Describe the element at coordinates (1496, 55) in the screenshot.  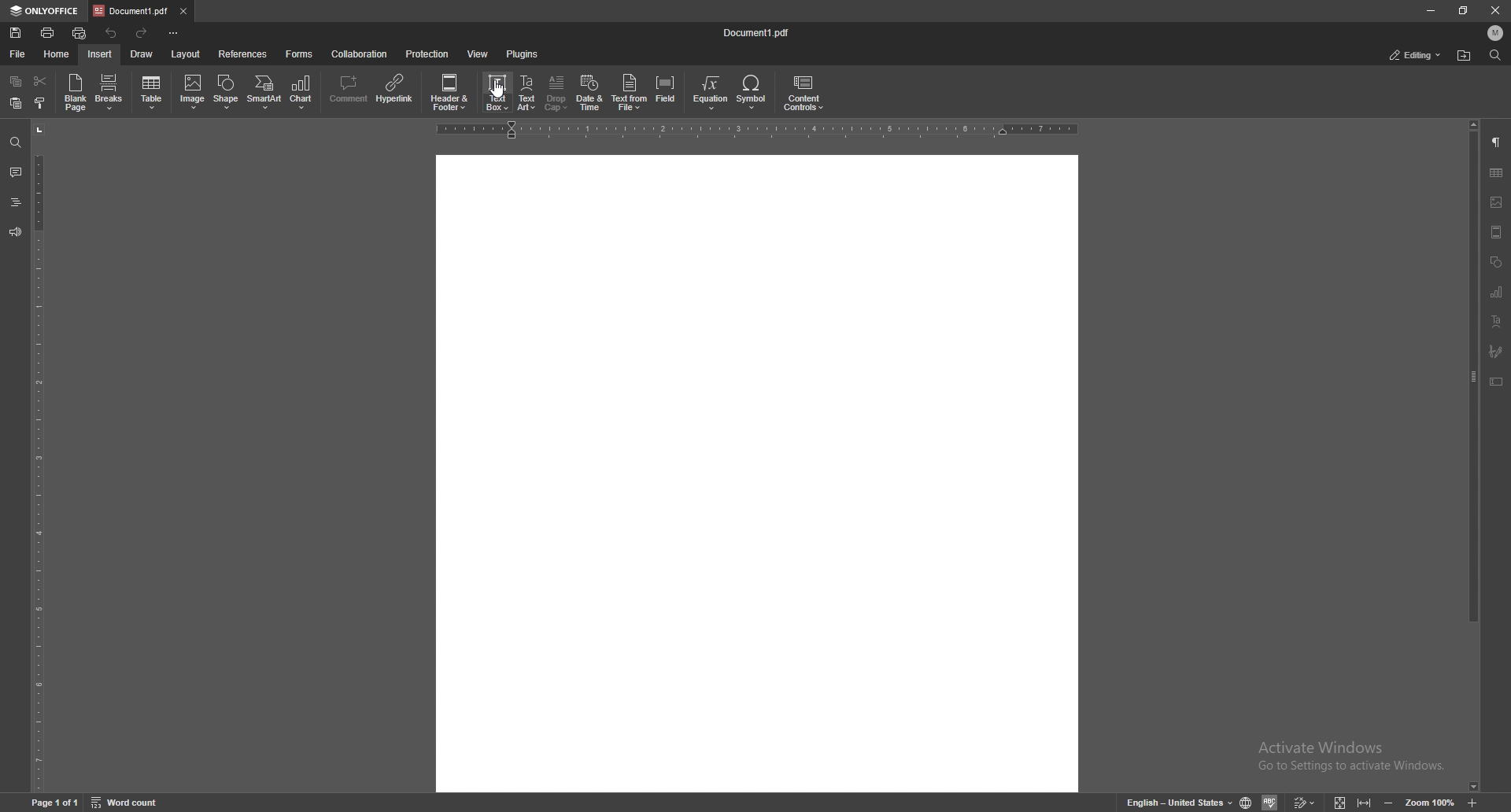
I see `find` at that location.